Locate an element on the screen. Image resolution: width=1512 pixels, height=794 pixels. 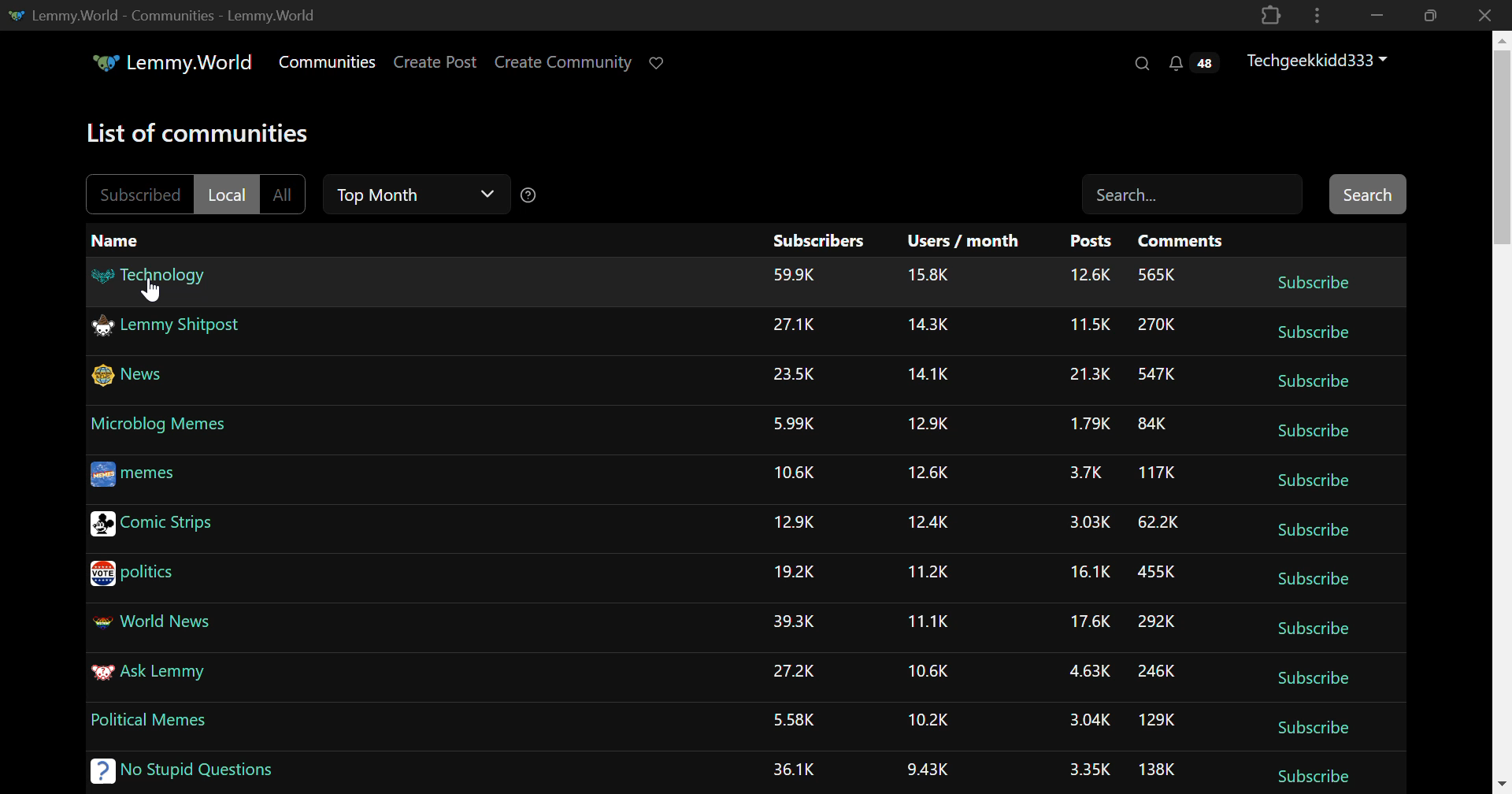
Political Memes is located at coordinates (150, 720).